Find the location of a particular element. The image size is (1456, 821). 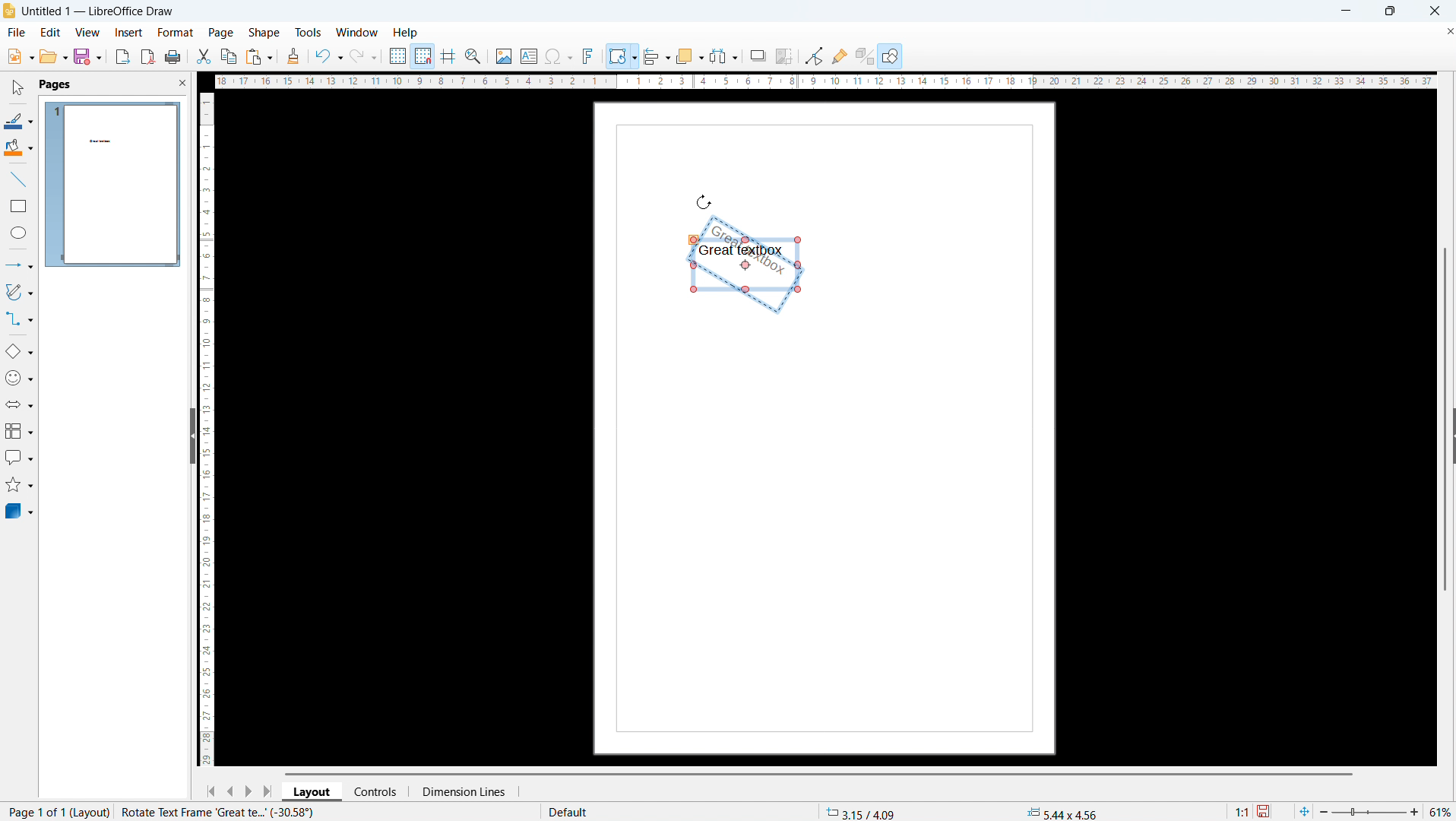

controls is located at coordinates (378, 791).